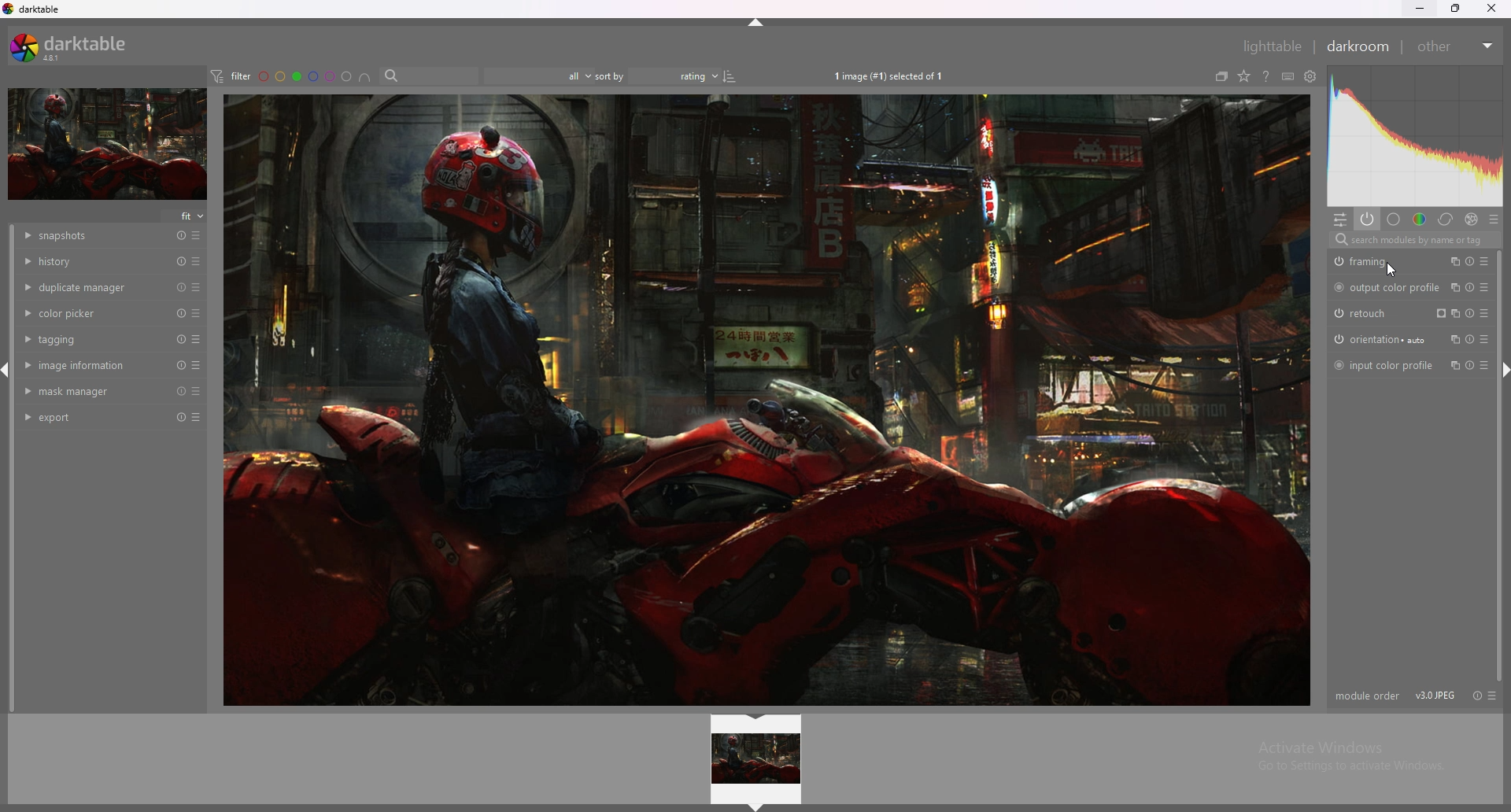 The width and height of the screenshot is (1511, 812). Describe the element at coordinates (94, 391) in the screenshot. I see `mask manager` at that location.